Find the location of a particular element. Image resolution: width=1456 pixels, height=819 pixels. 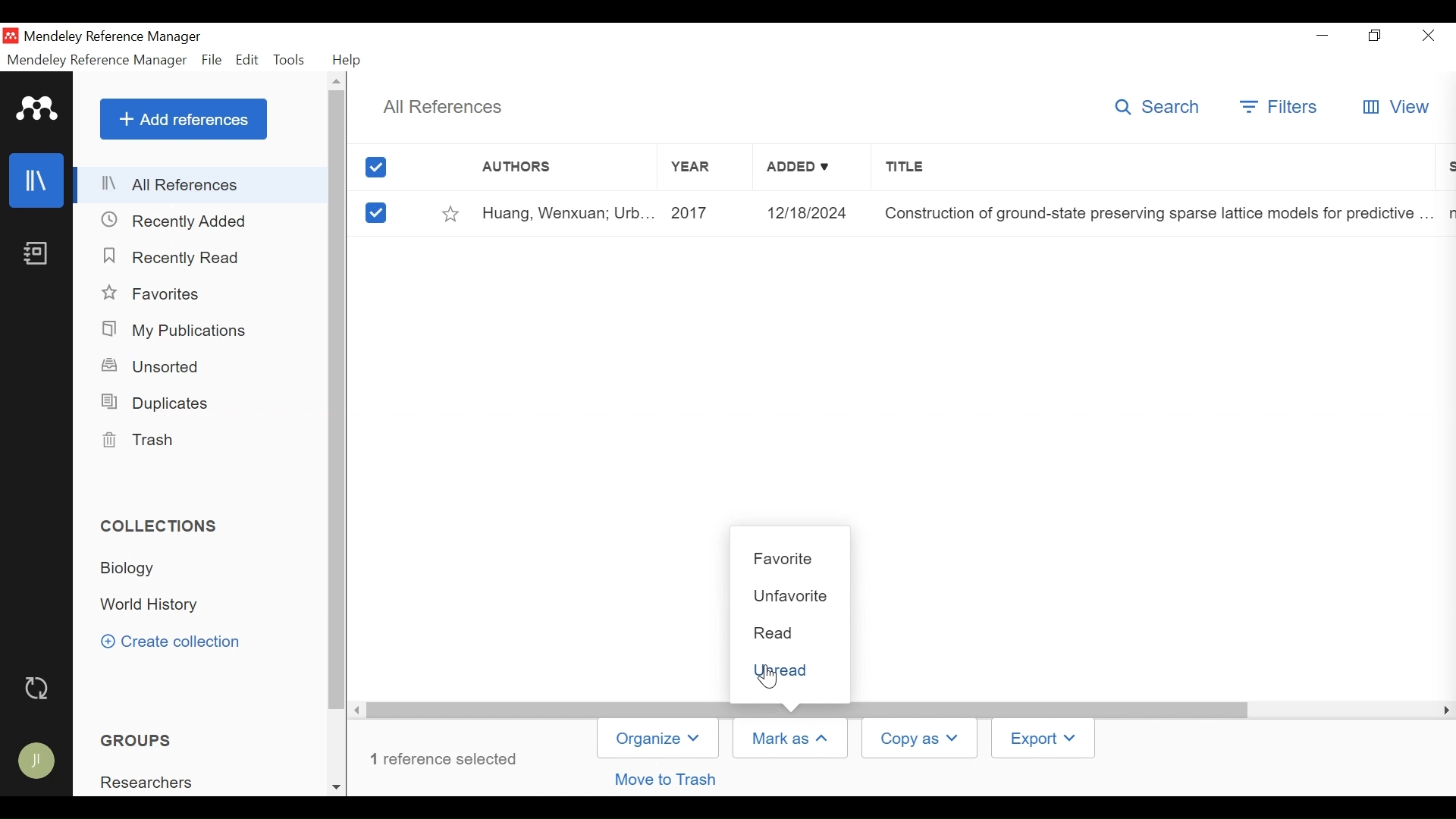

Added is located at coordinates (814, 170).